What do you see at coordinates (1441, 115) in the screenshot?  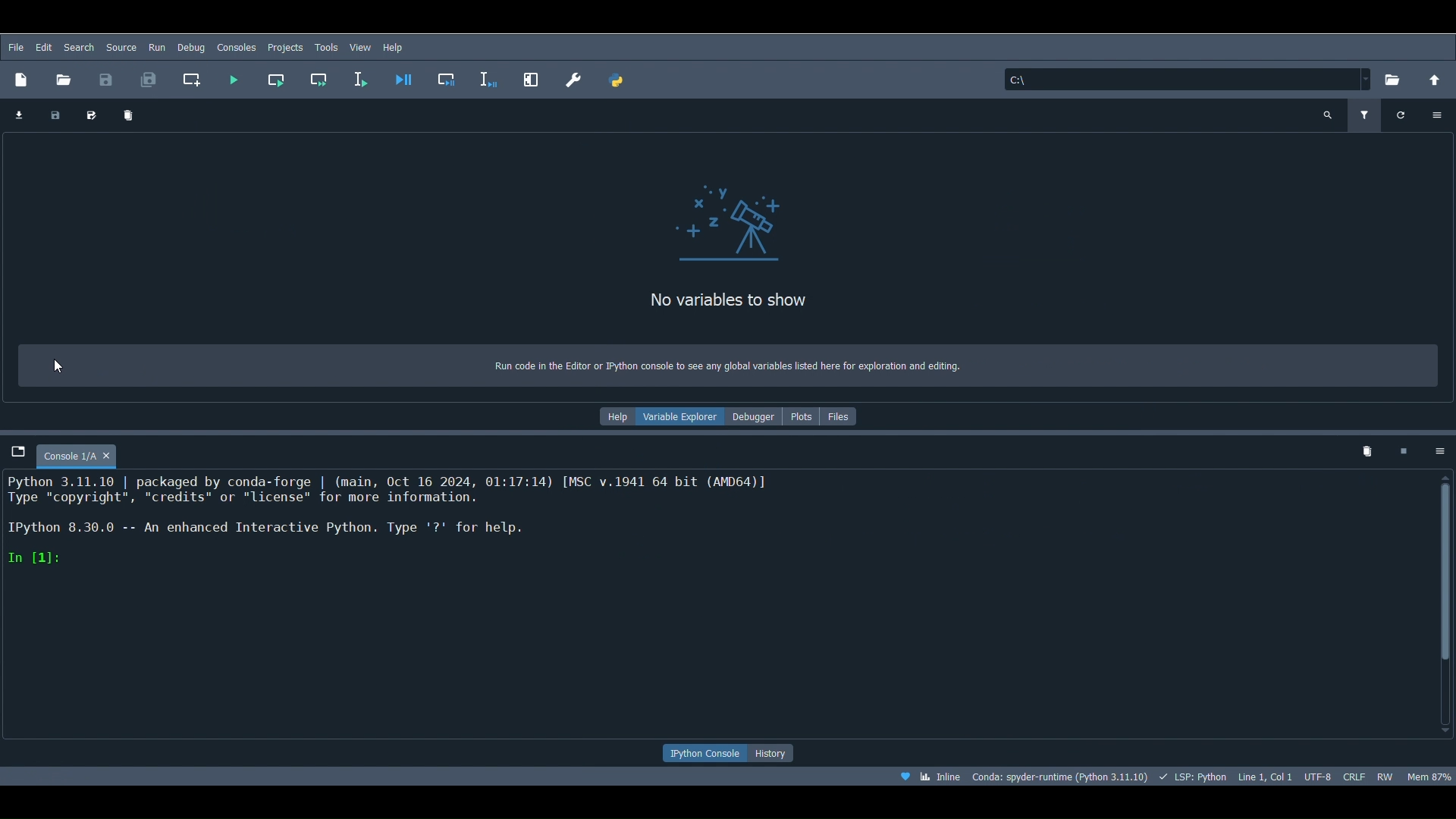 I see `Options` at bounding box center [1441, 115].